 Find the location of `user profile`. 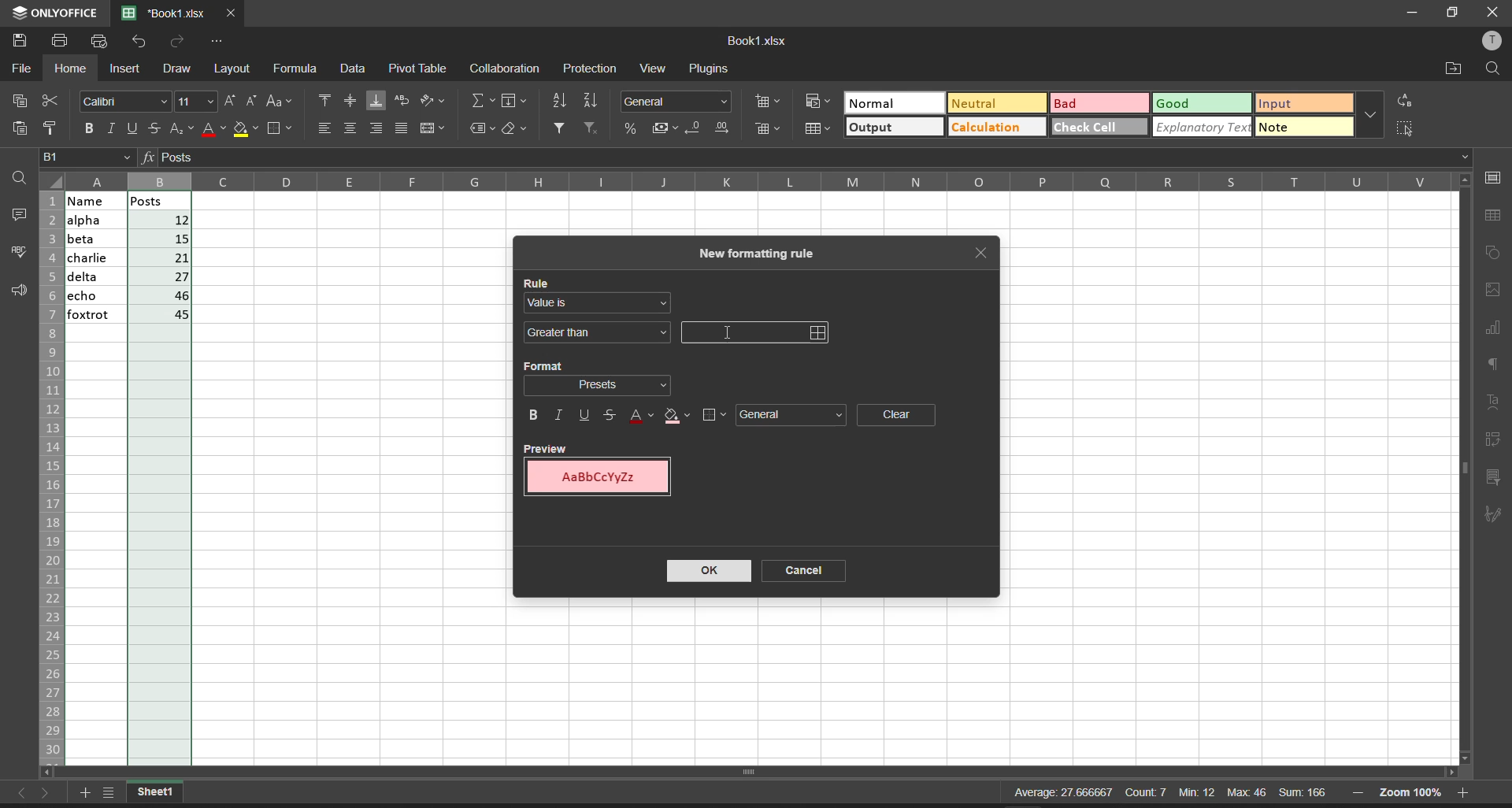

user profile is located at coordinates (1494, 42).